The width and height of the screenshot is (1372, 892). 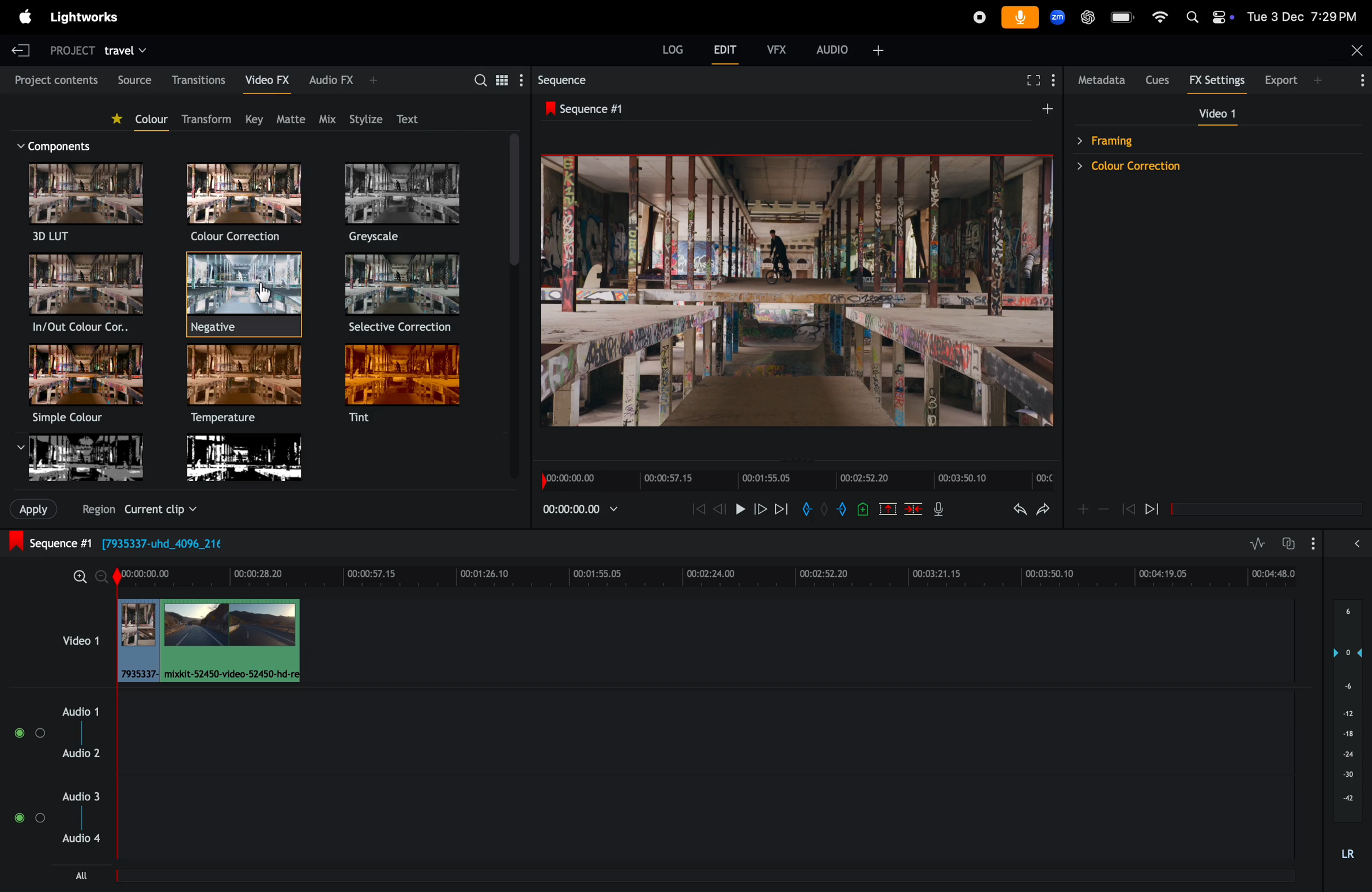 I want to click on add cue at the current position, so click(x=861, y=509).